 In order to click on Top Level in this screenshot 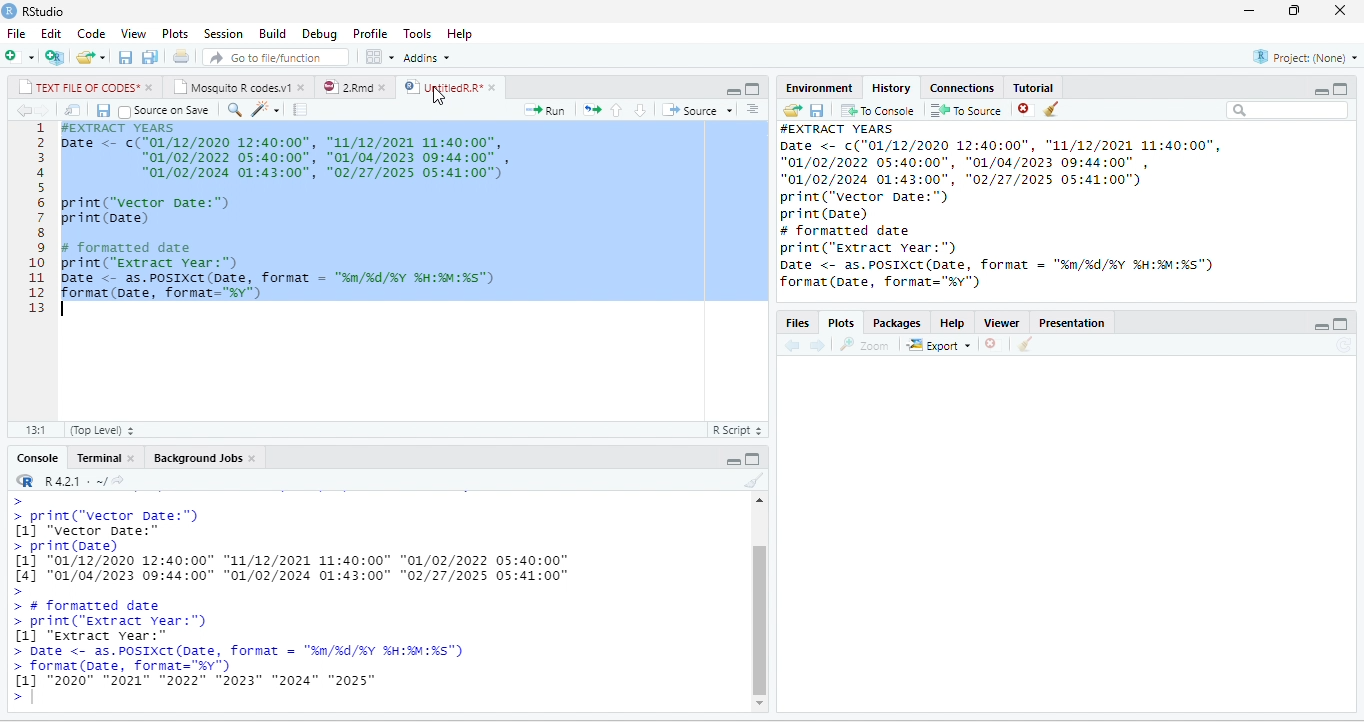, I will do `click(102, 429)`.